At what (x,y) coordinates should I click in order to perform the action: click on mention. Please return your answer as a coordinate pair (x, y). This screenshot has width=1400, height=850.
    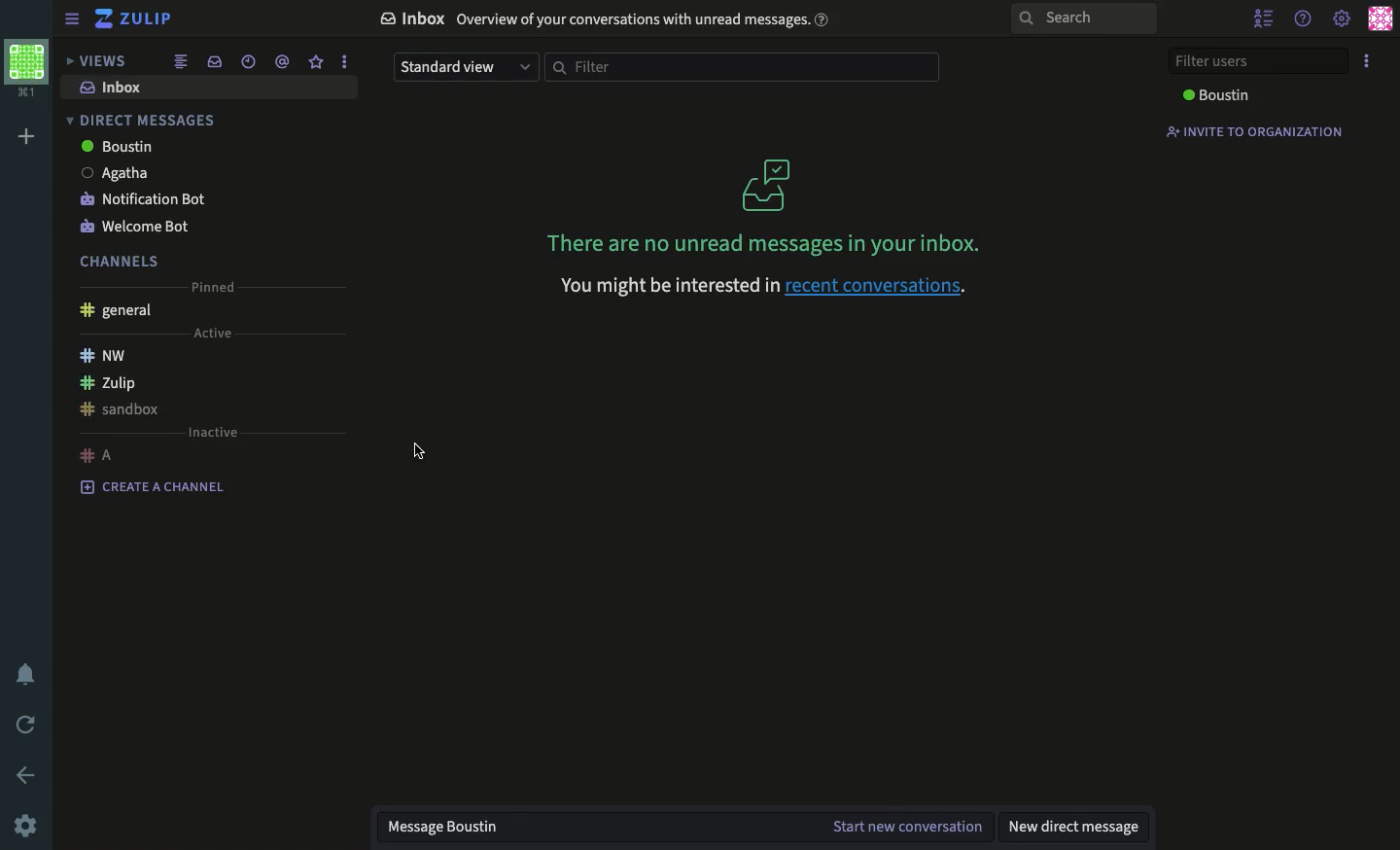
    Looking at the image, I should click on (282, 61).